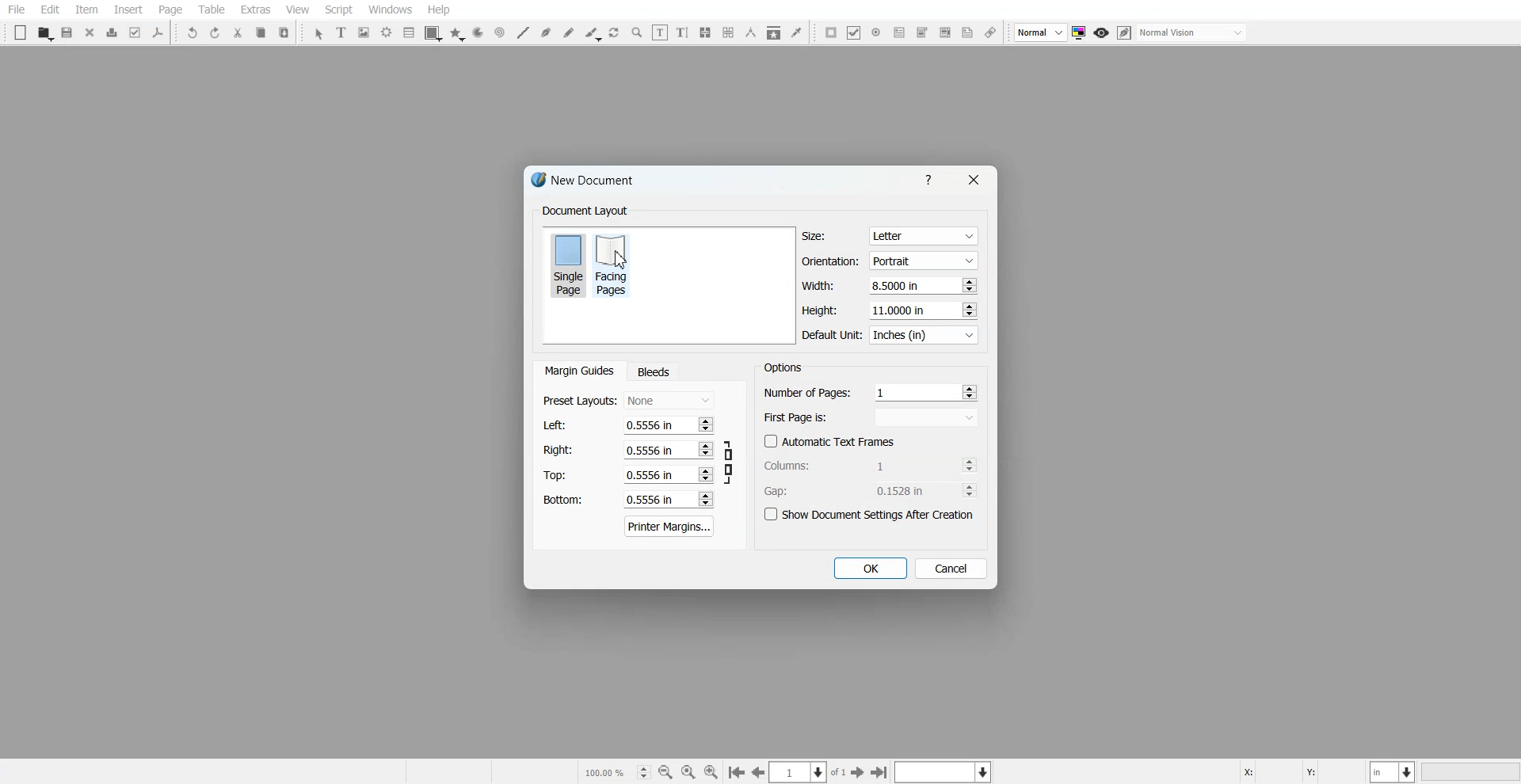 The width and height of the screenshot is (1521, 784). I want to click on Go to the first page, so click(736, 773).